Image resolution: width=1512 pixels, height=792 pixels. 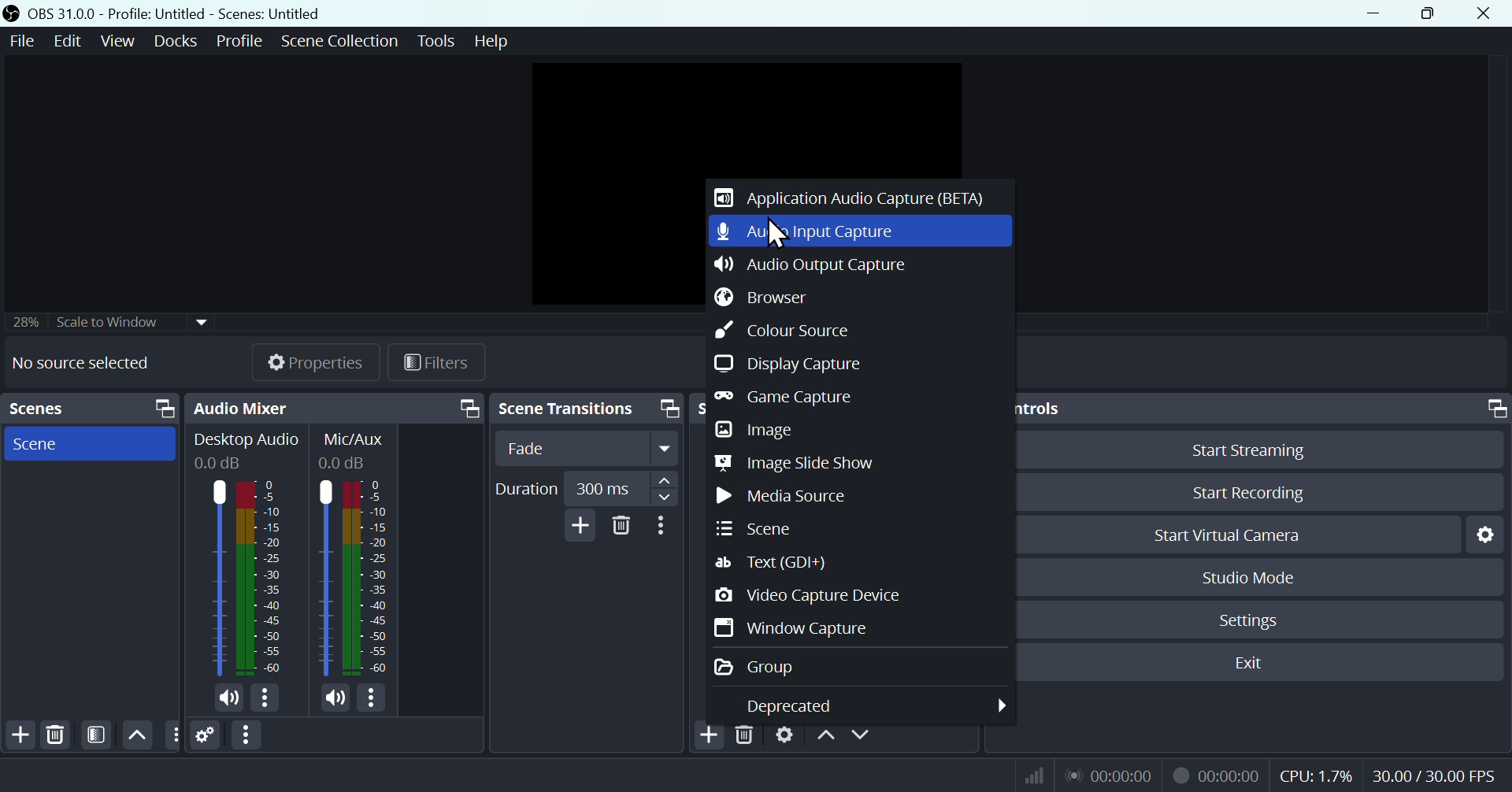 I want to click on Window capture, so click(x=812, y=631).